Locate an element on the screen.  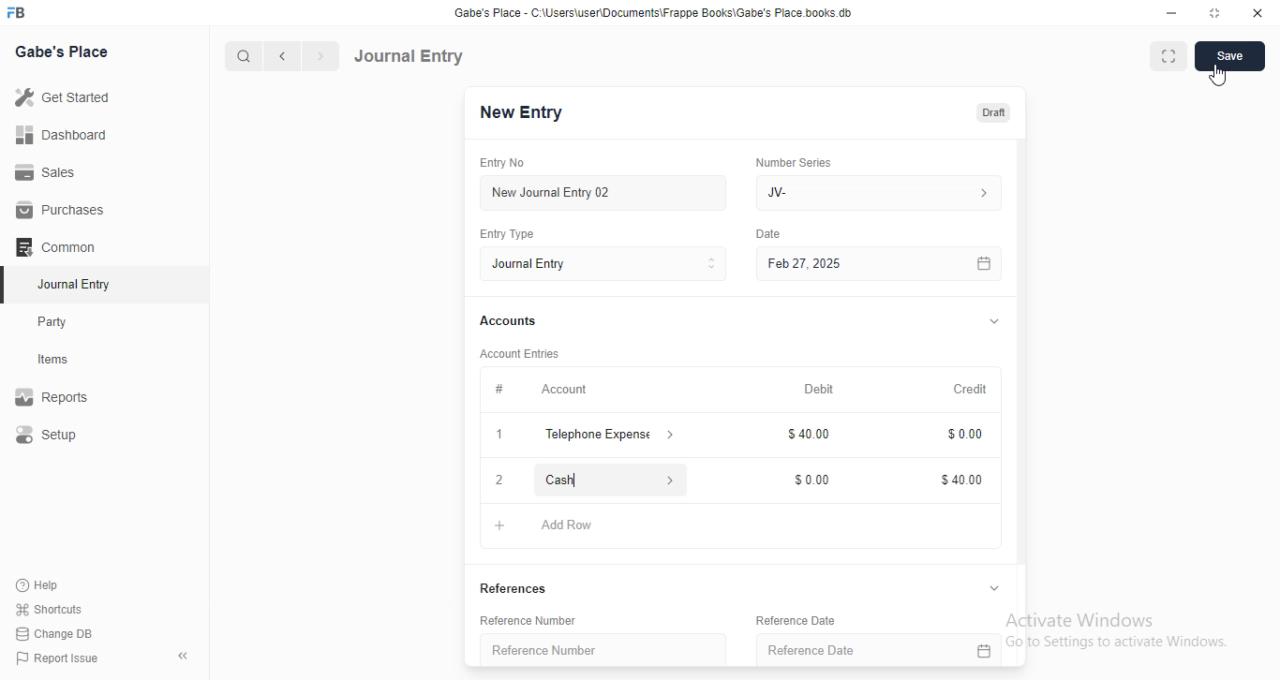
‘Number Series is located at coordinates (794, 162).